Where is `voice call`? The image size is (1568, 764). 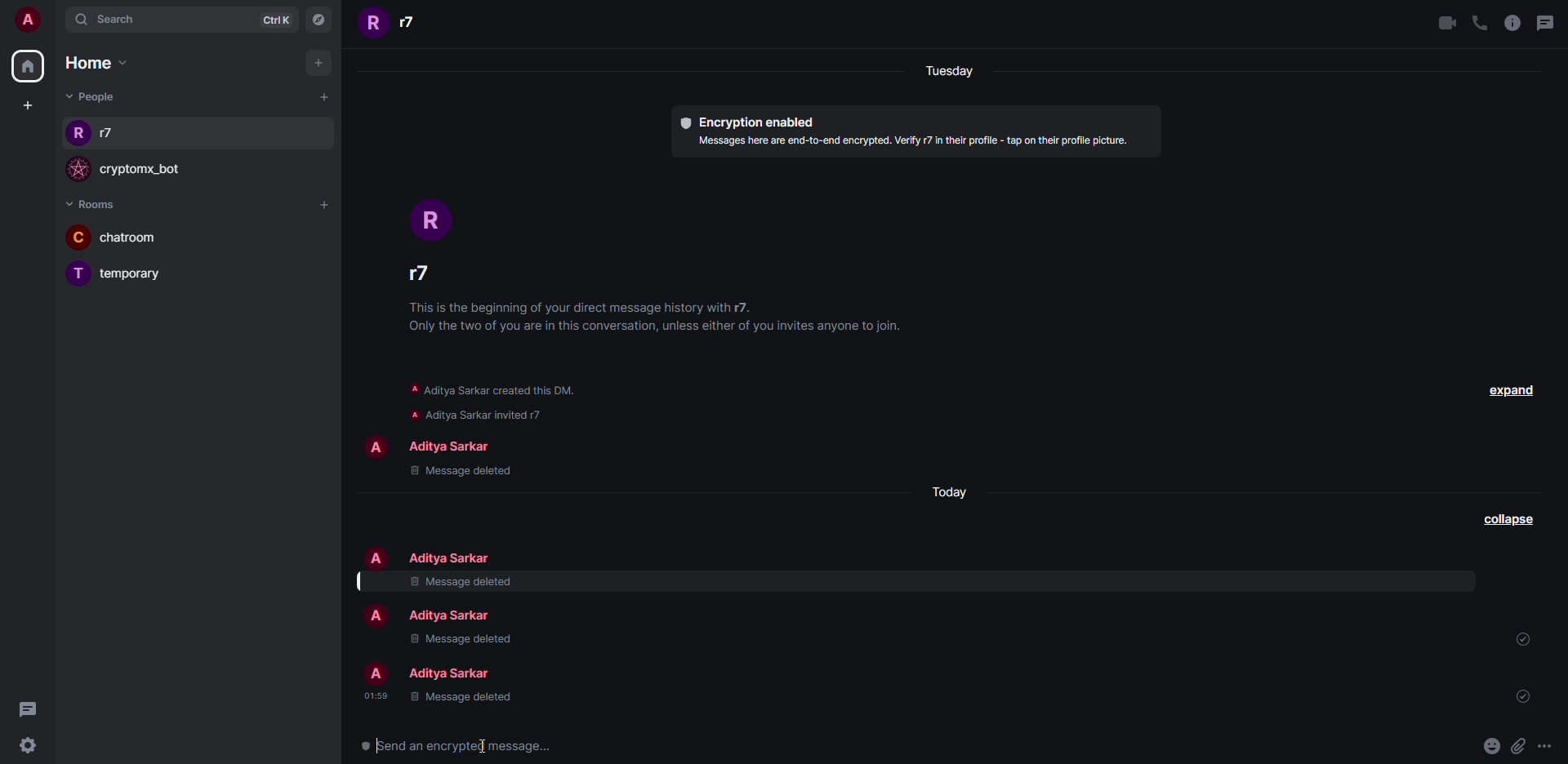 voice call is located at coordinates (1479, 23).